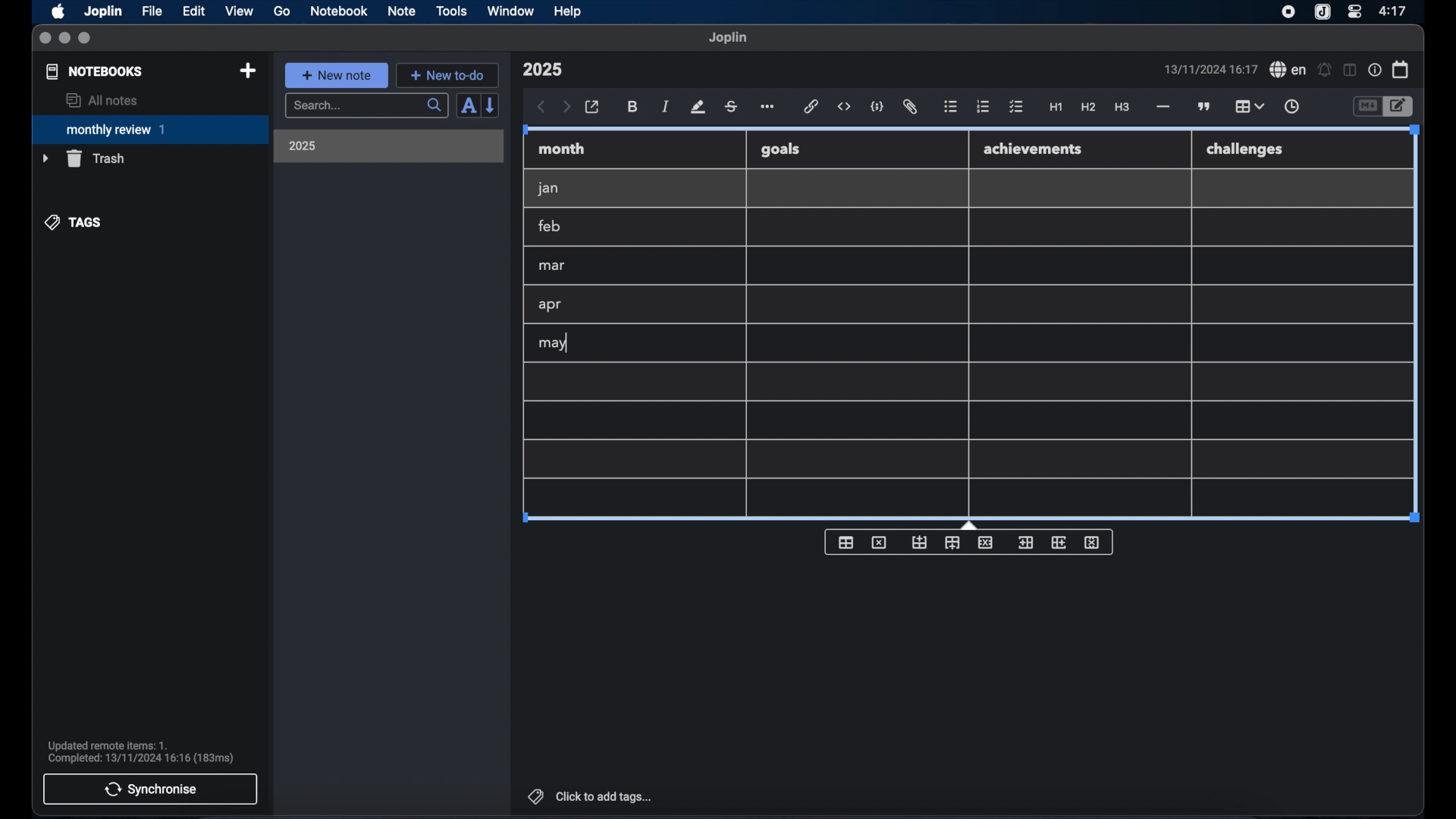 Image resolution: width=1456 pixels, height=819 pixels. What do you see at coordinates (1034, 149) in the screenshot?
I see `achievements` at bounding box center [1034, 149].